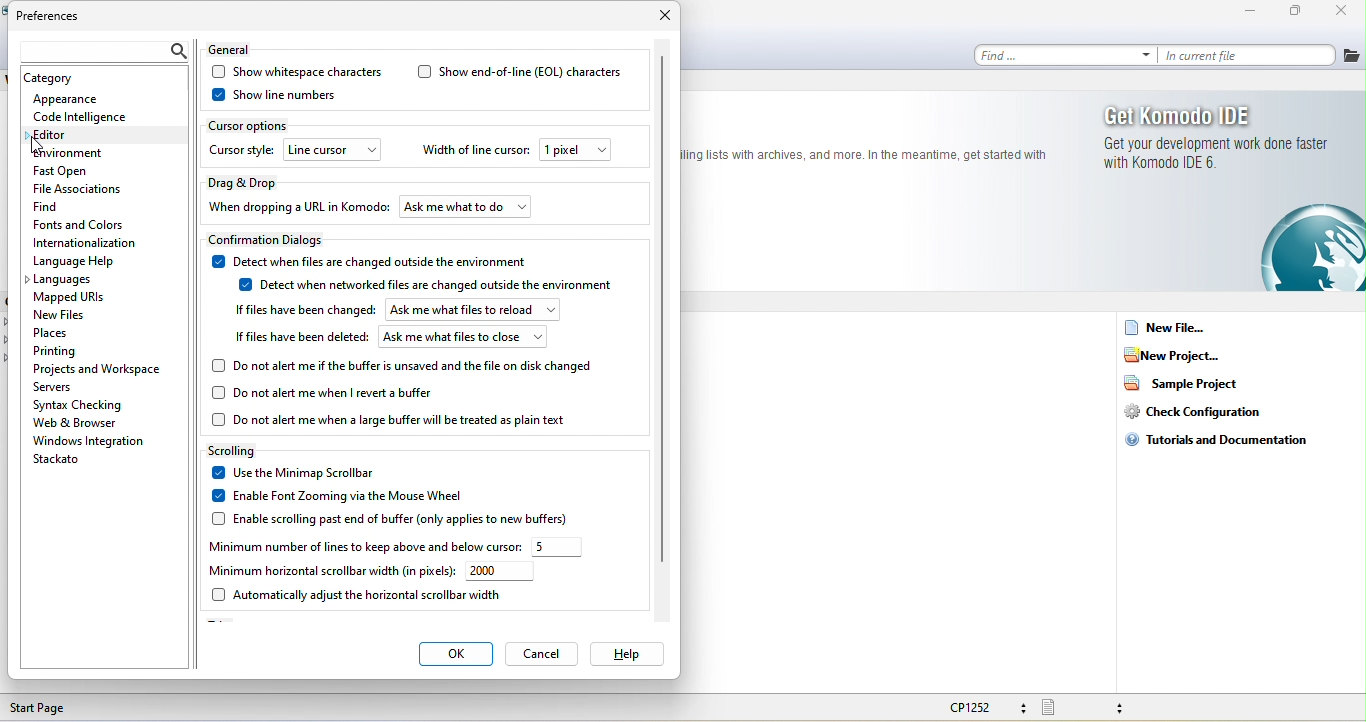  I want to click on help, so click(625, 653).